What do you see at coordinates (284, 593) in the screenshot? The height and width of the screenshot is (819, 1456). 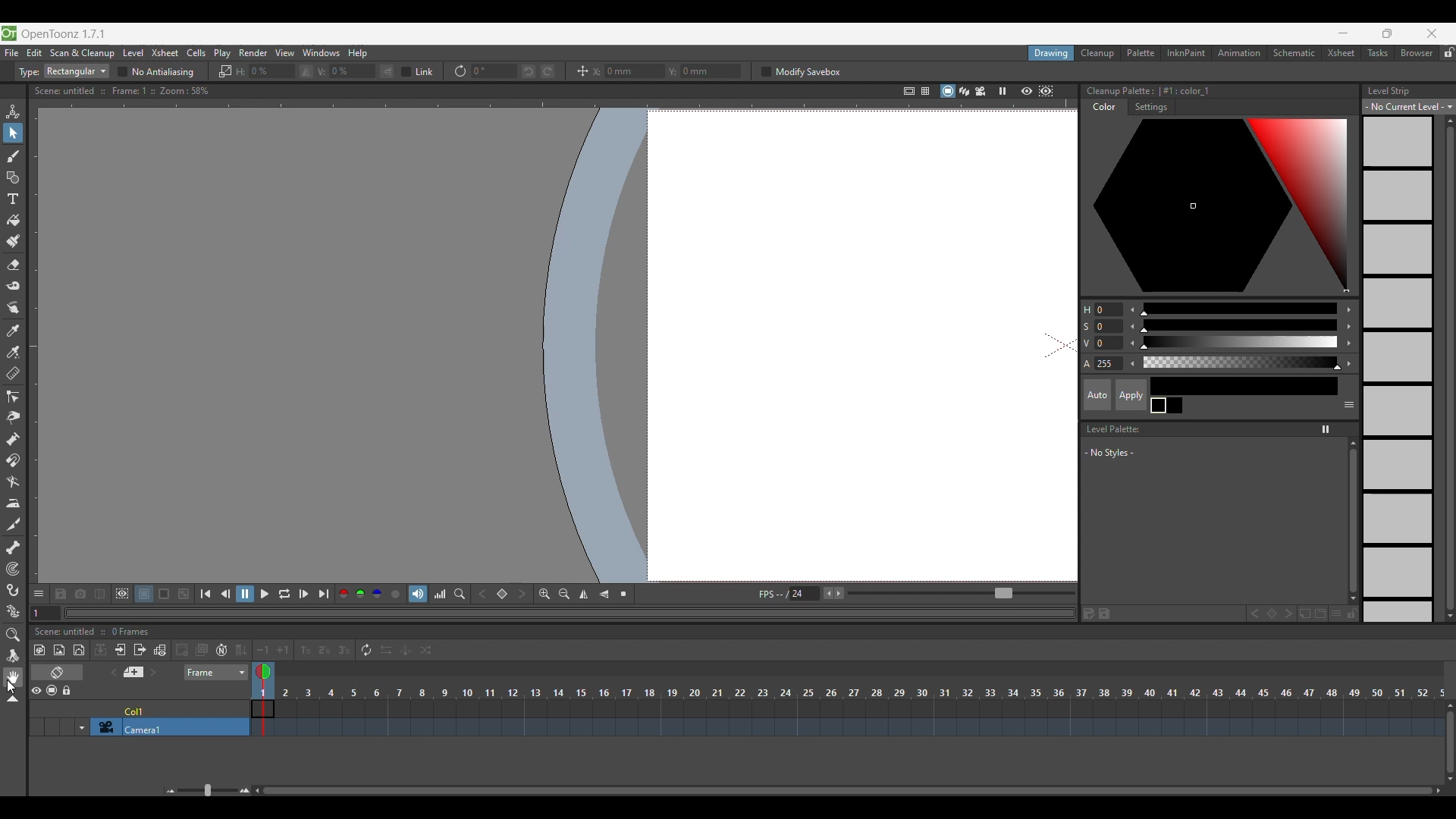 I see `Loop` at bounding box center [284, 593].